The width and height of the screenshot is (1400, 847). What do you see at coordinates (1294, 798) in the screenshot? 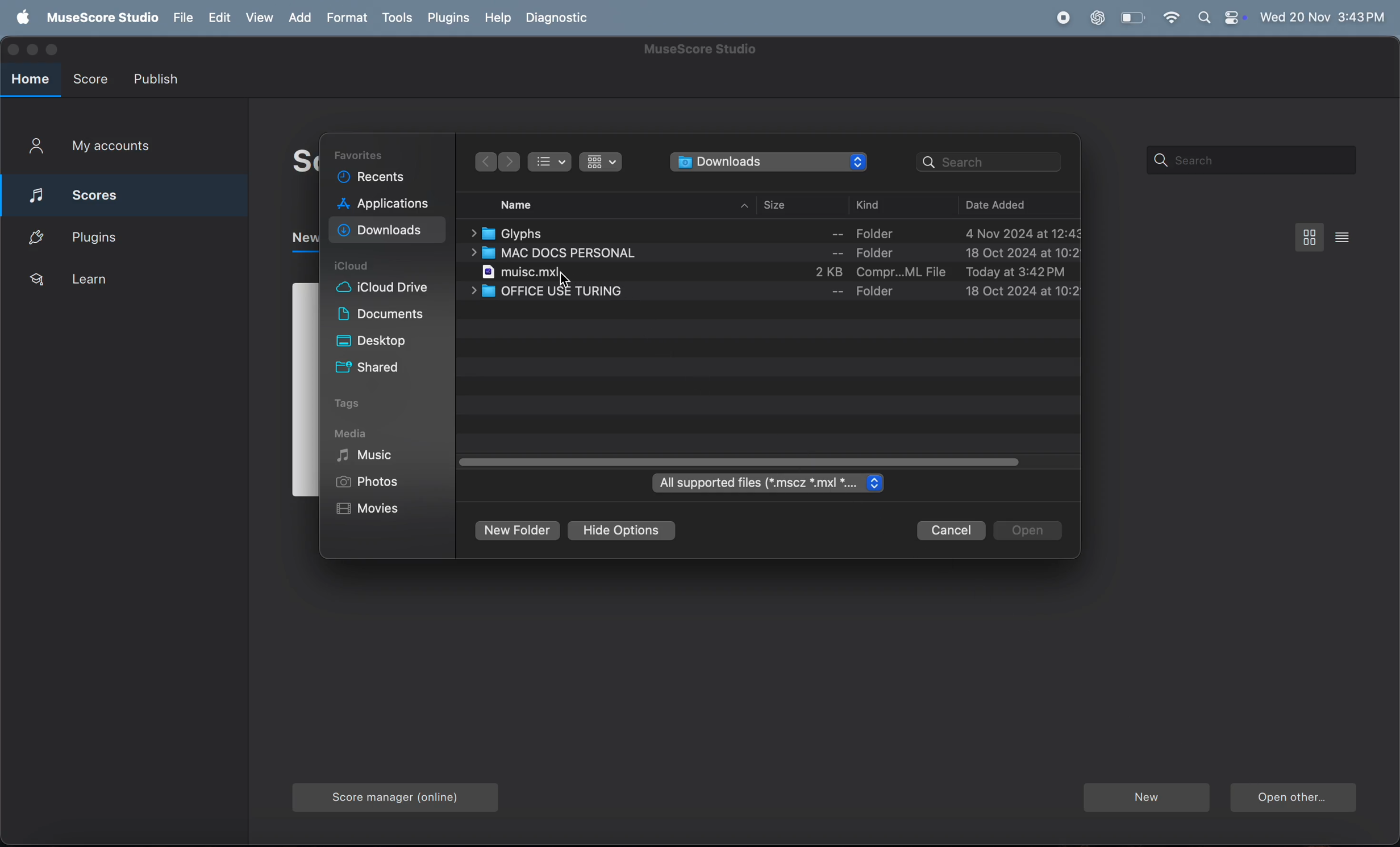
I see `open another` at bounding box center [1294, 798].